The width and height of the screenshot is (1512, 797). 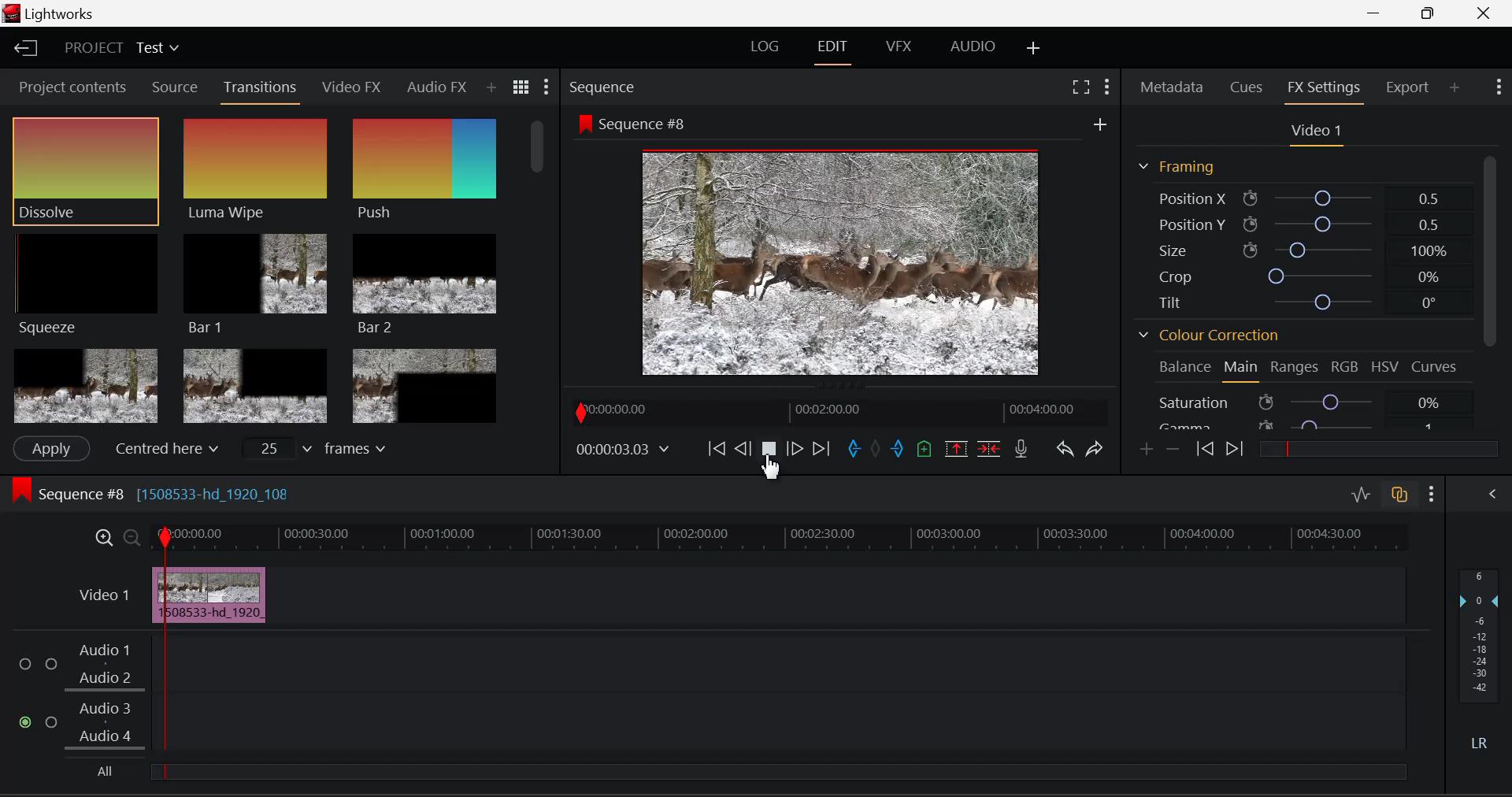 I want to click on Close, so click(x=1485, y=13).